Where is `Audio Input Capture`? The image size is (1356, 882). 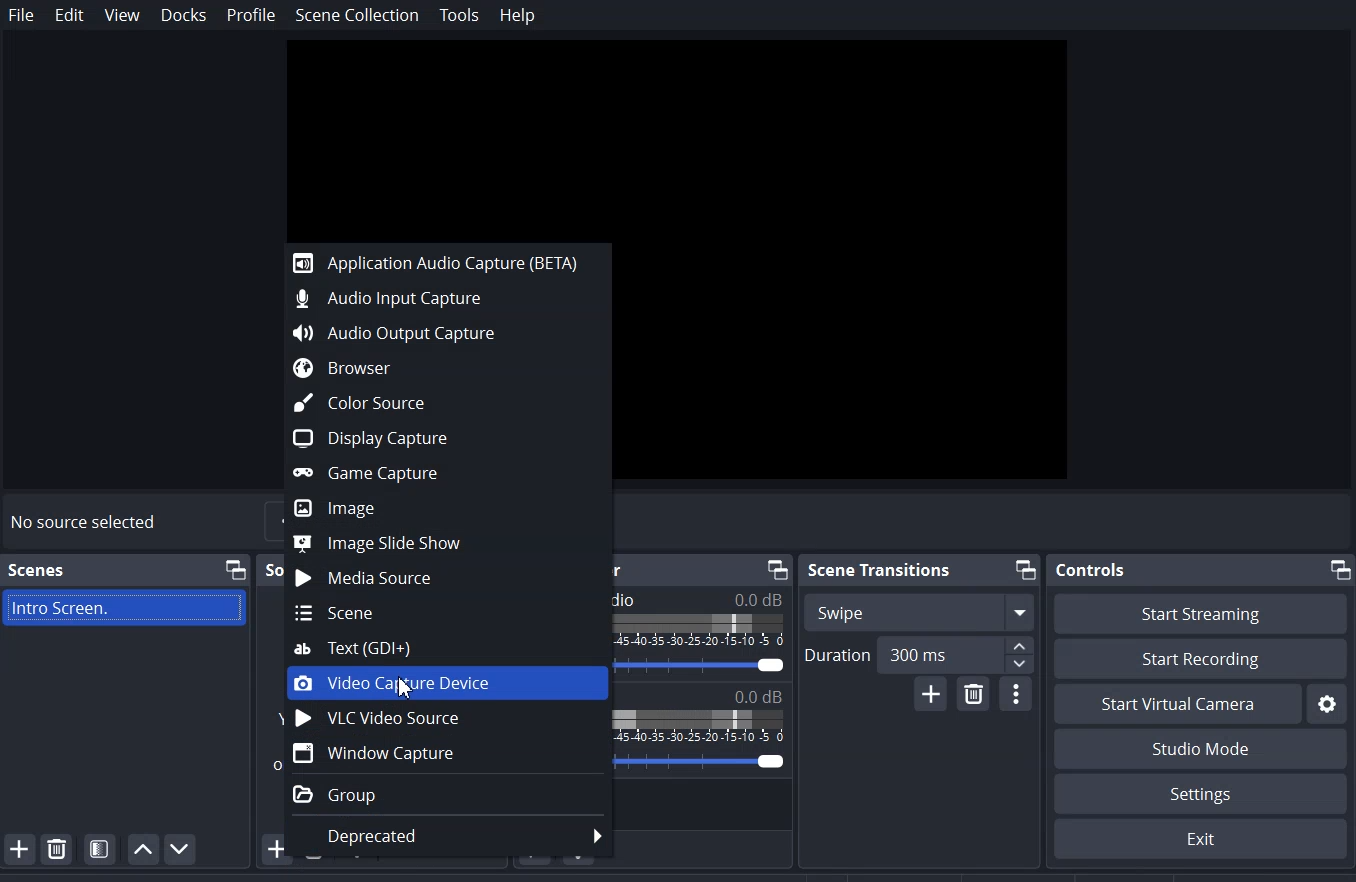
Audio Input Capture is located at coordinates (436, 298).